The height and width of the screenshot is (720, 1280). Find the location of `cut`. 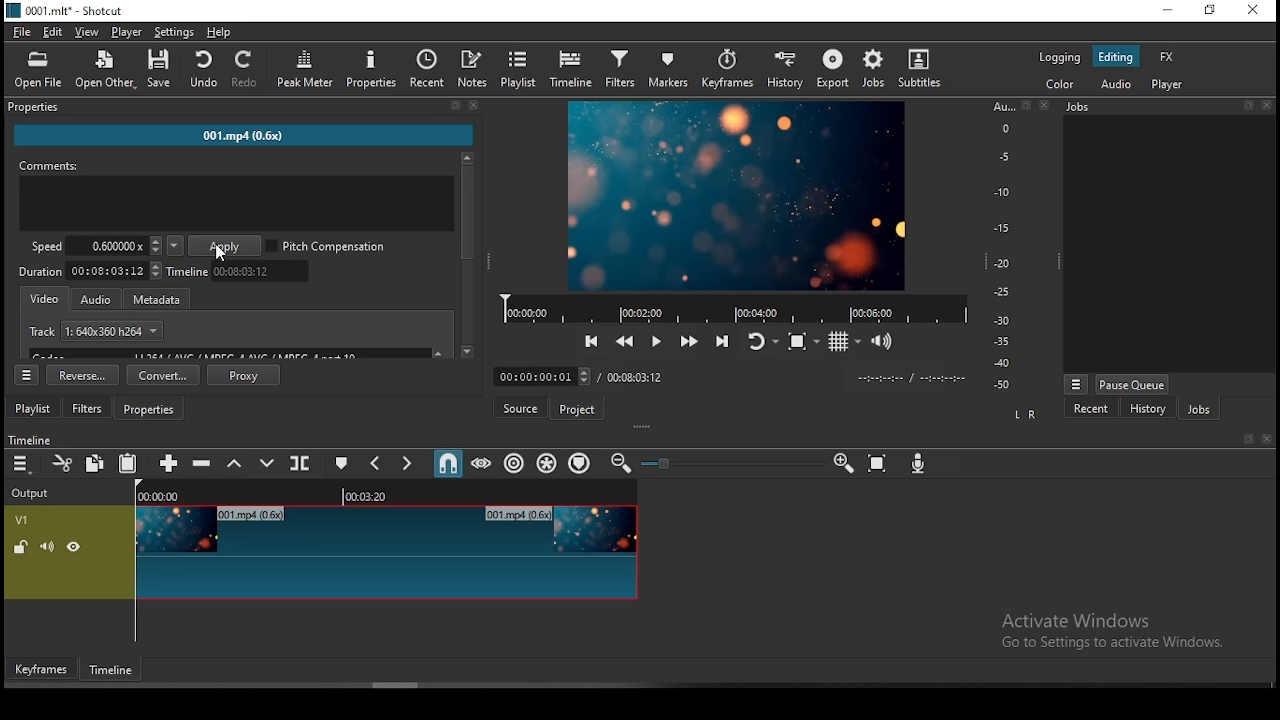

cut is located at coordinates (59, 463).